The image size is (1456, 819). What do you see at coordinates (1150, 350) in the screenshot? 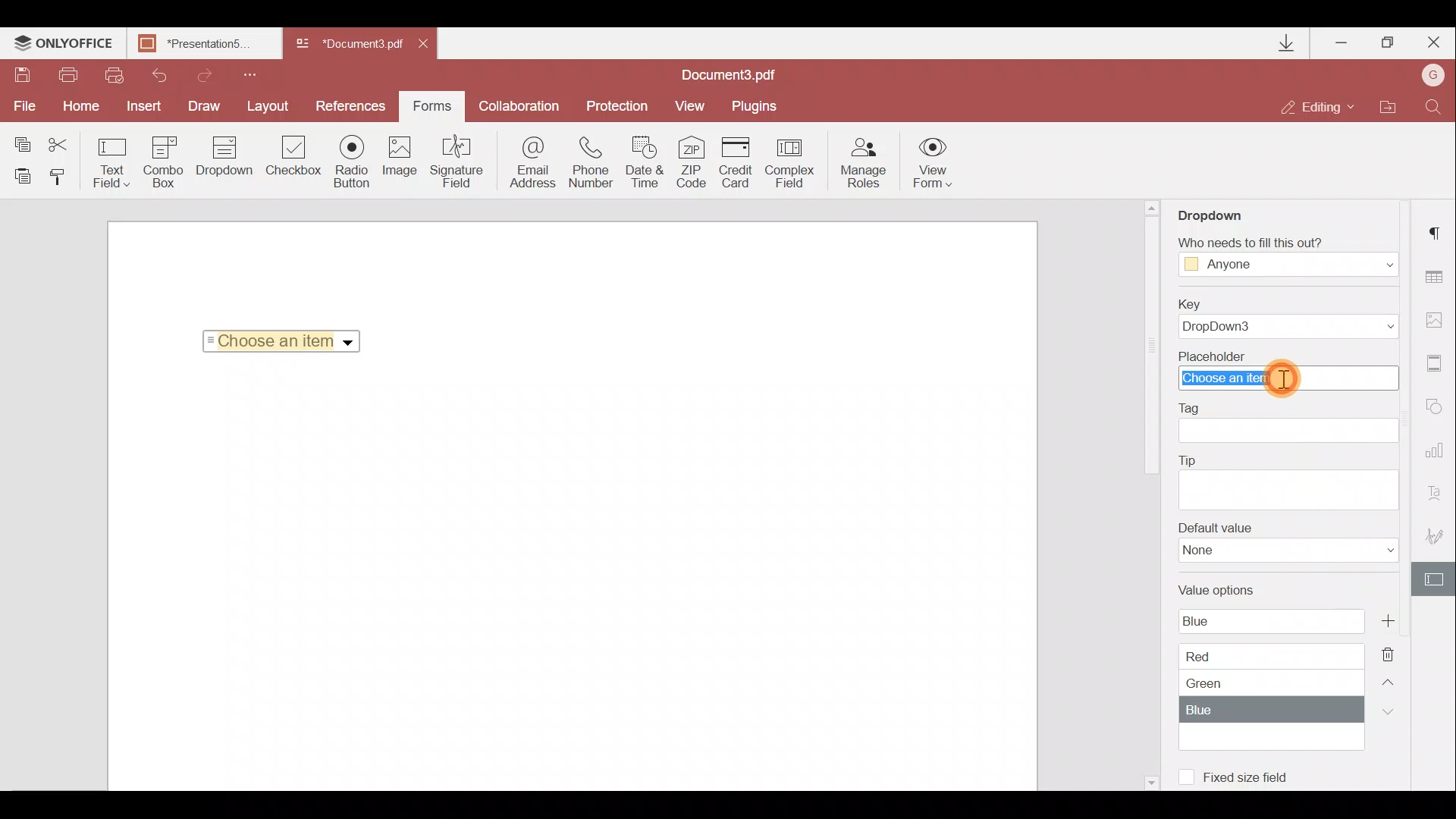
I see `Scroll bar` at bounding box center [1150, 350].